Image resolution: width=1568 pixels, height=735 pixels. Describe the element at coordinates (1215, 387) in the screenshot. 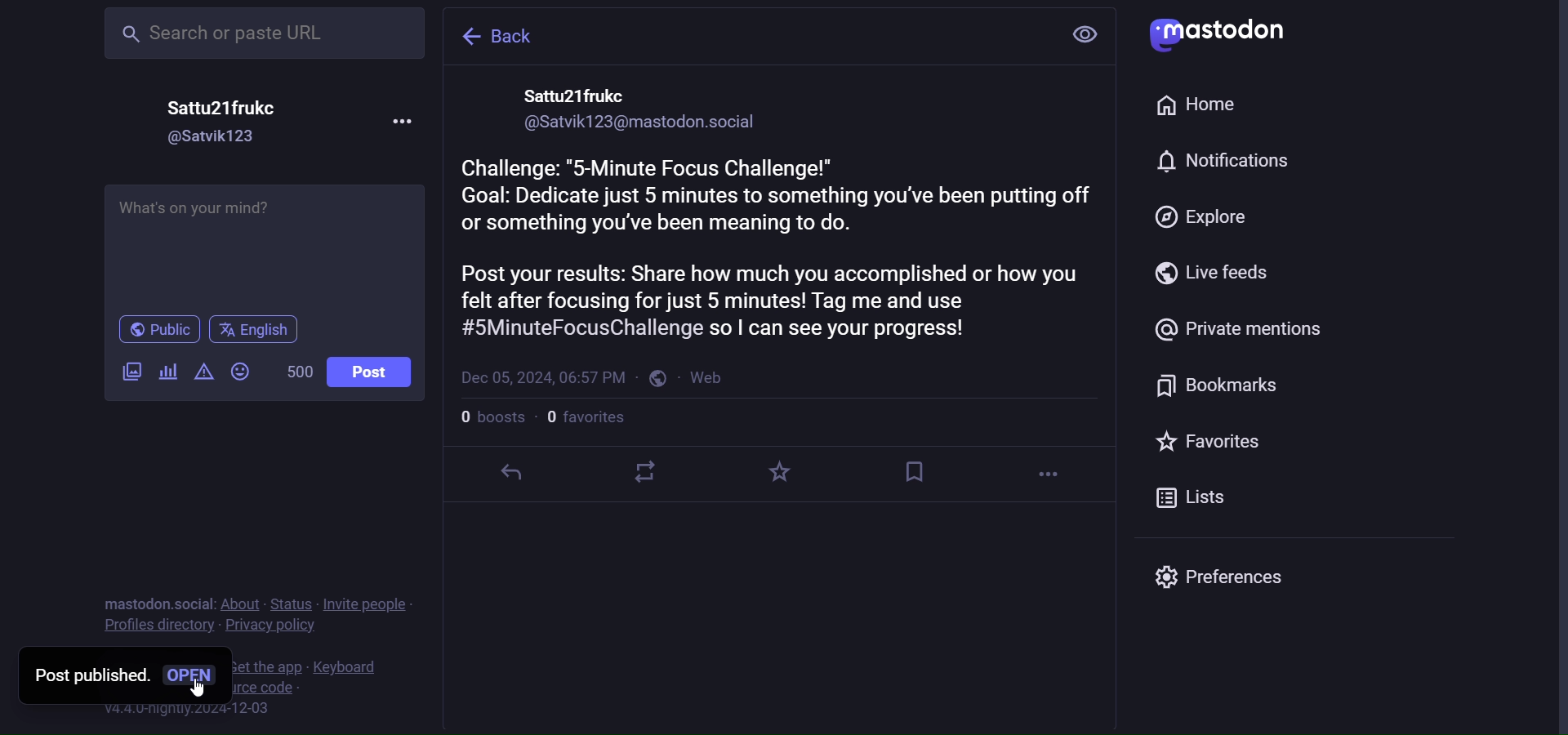

I see `bookmark` at that location.